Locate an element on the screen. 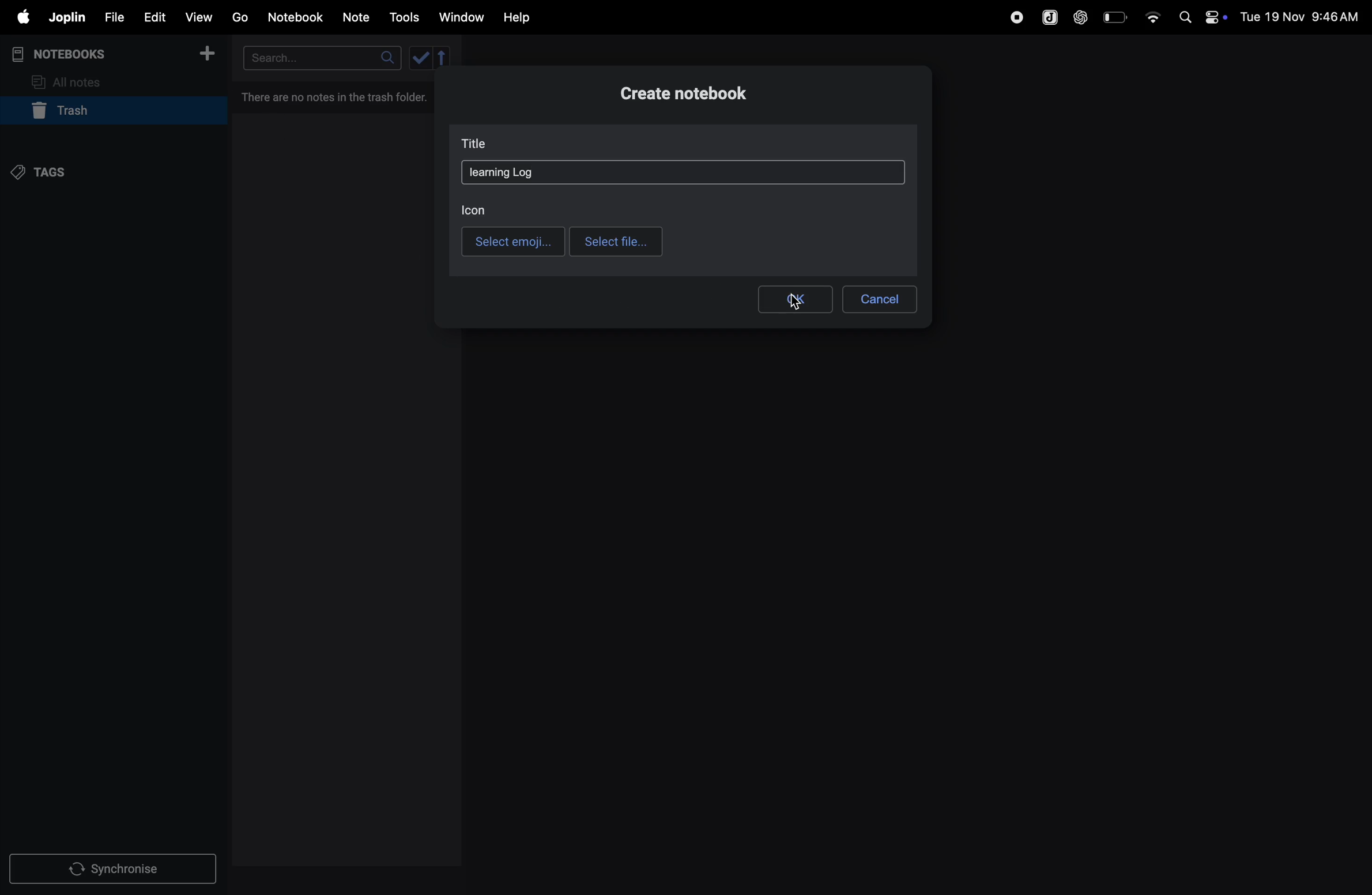 This screenshot has width=1372, height=895. go is located at coordinates (239, 17).